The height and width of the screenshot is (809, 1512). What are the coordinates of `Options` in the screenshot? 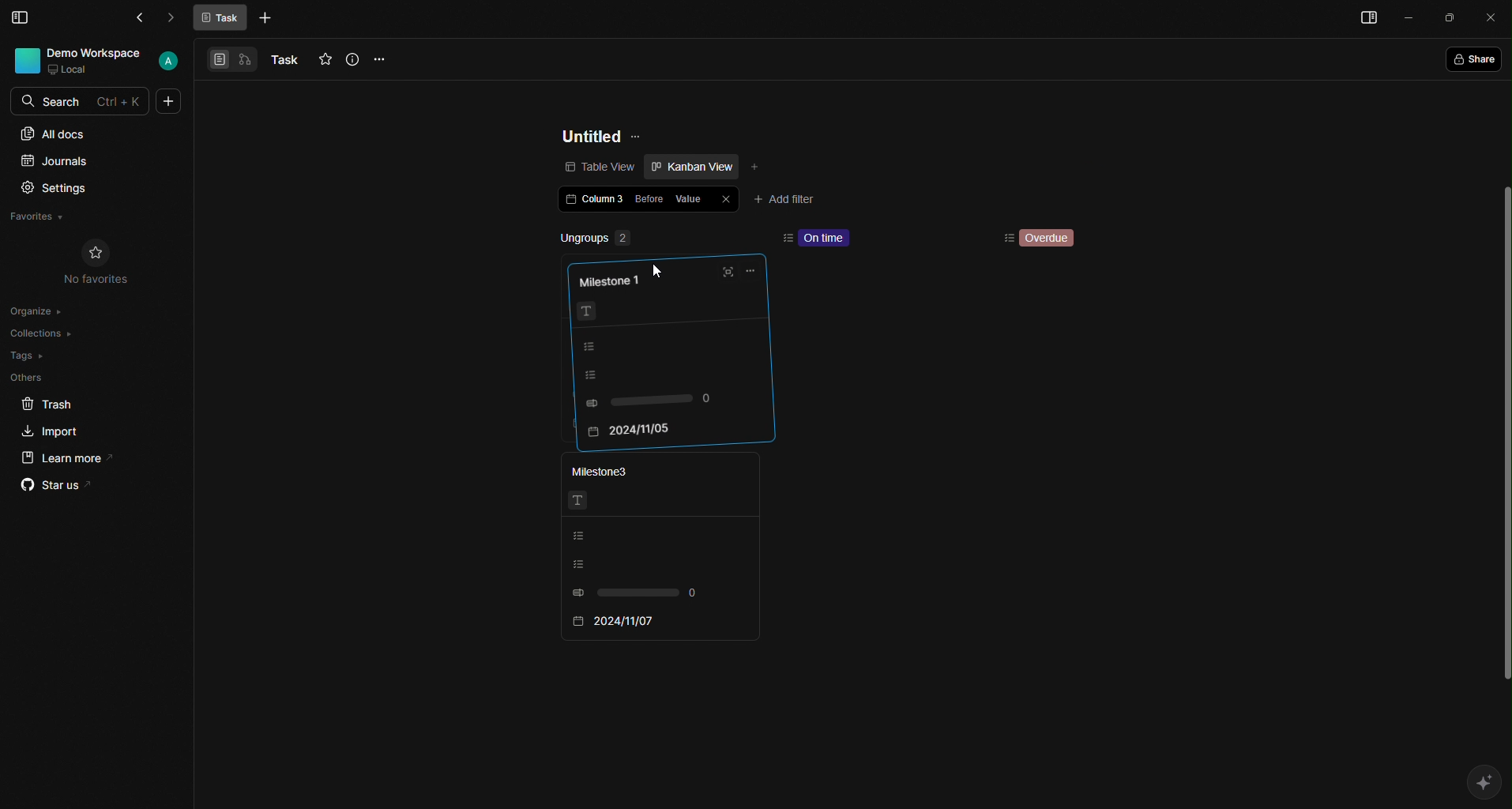 It's located at (381, 58).